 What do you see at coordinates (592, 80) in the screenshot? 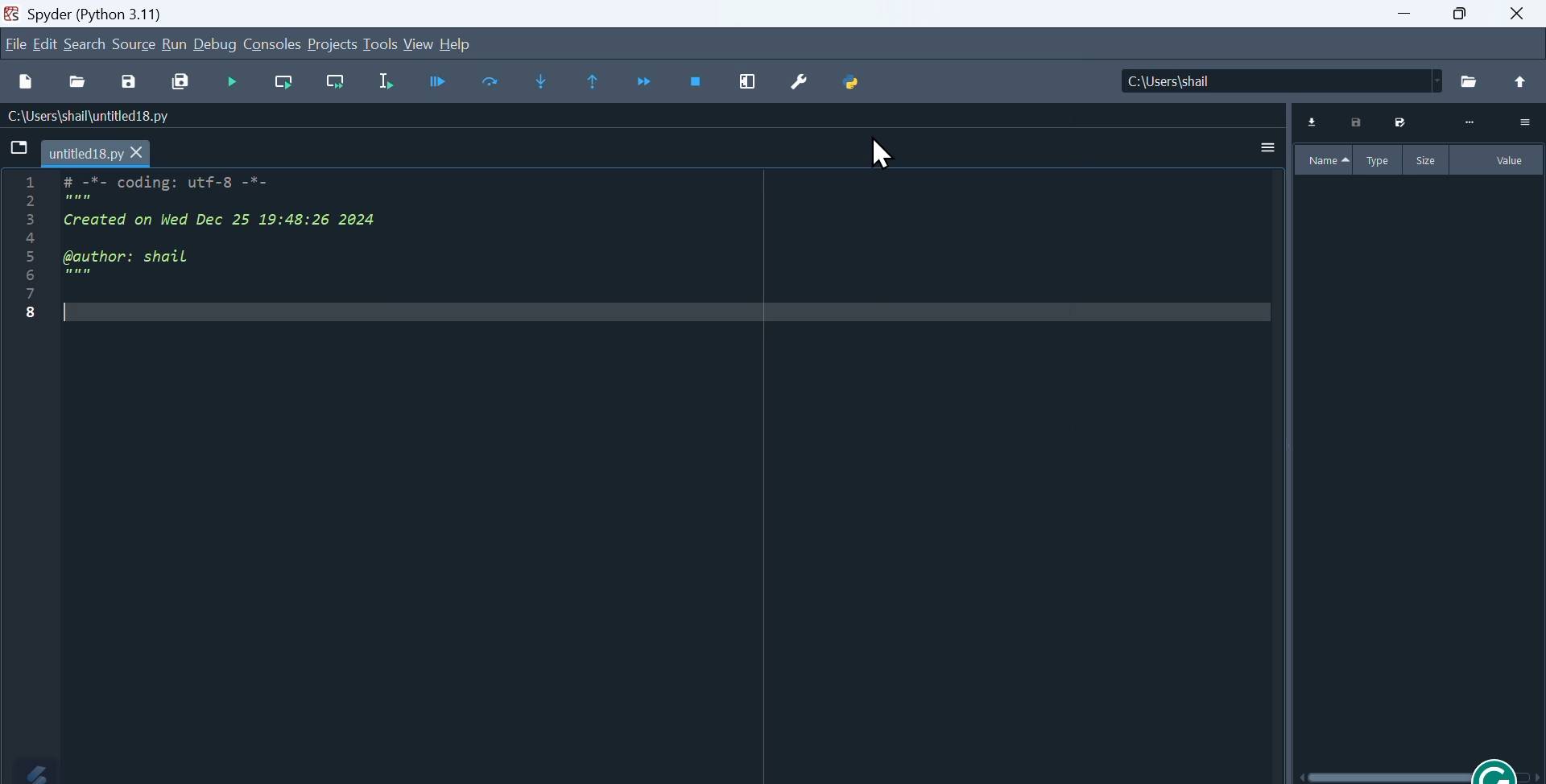
I see `Run until current function returns` at bounding box center [592, 80].